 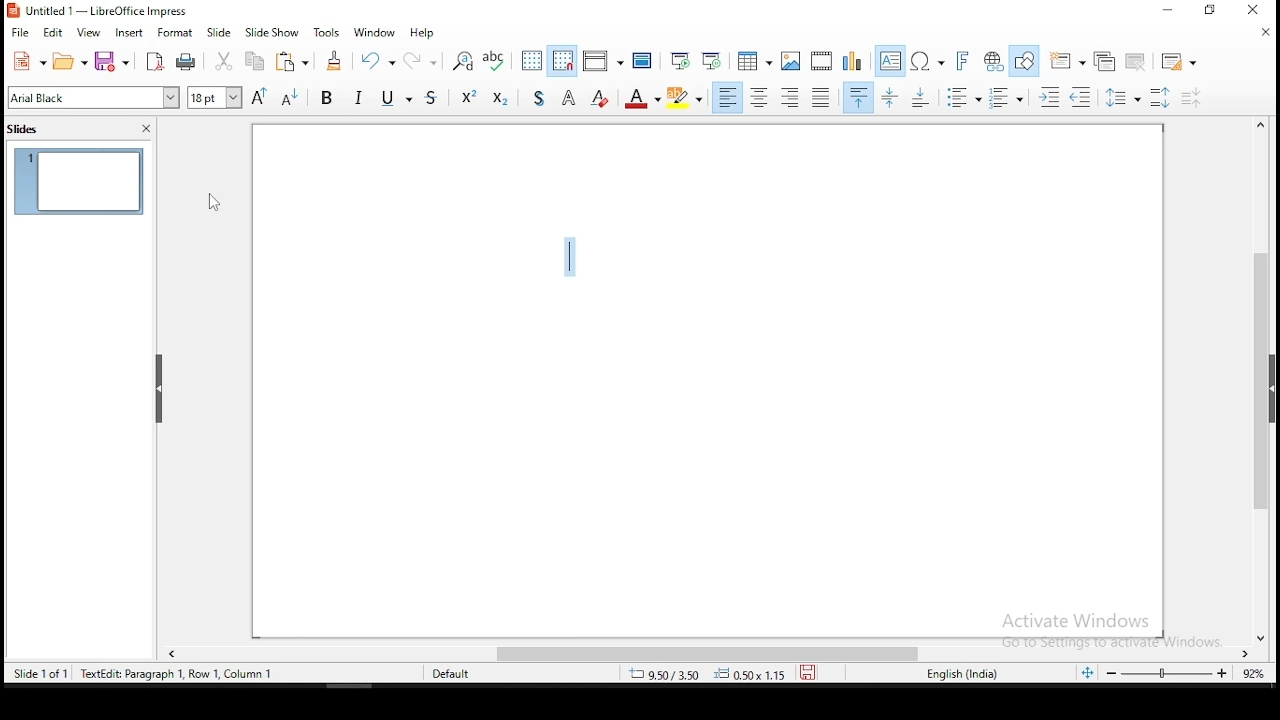 I want to click on Decrease Indent, so click(x=1080, y=98).